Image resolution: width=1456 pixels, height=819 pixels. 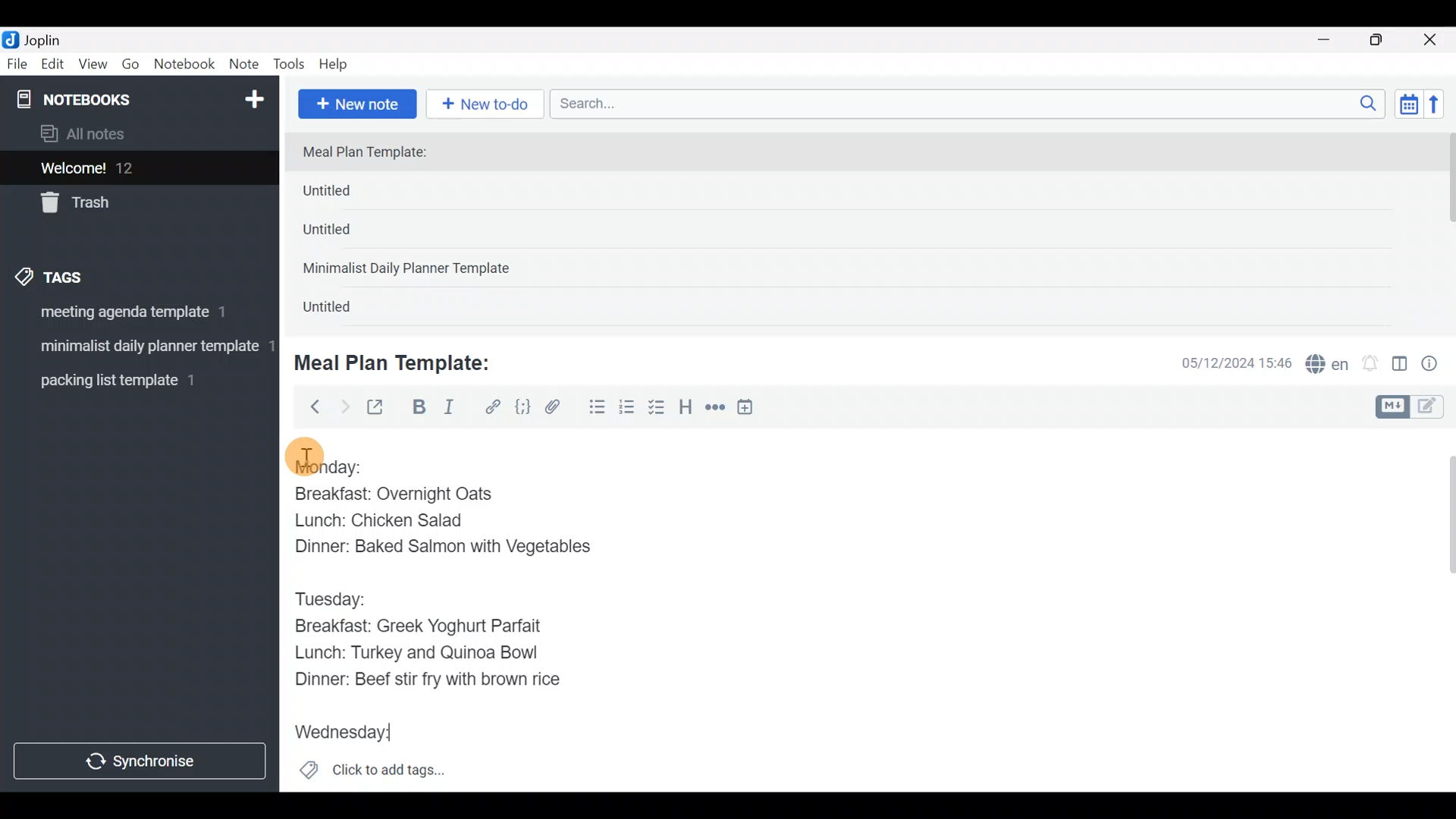 What do you see at coordinates (352, 194) in the screenshot?
I see `Untitled` at bounding box center [352, 194].